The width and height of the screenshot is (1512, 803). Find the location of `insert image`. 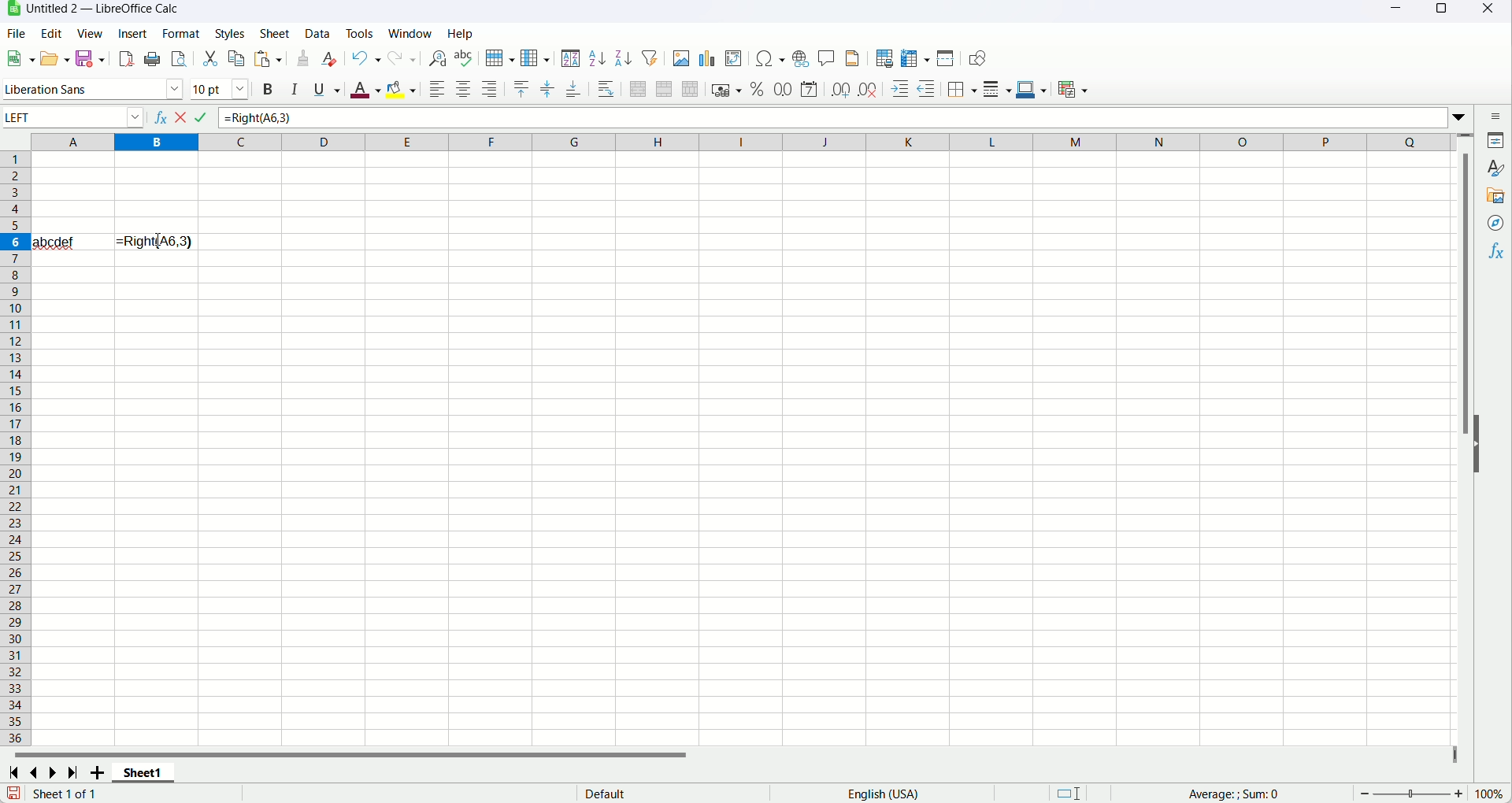

insert image is located at coordinates (681, 58).